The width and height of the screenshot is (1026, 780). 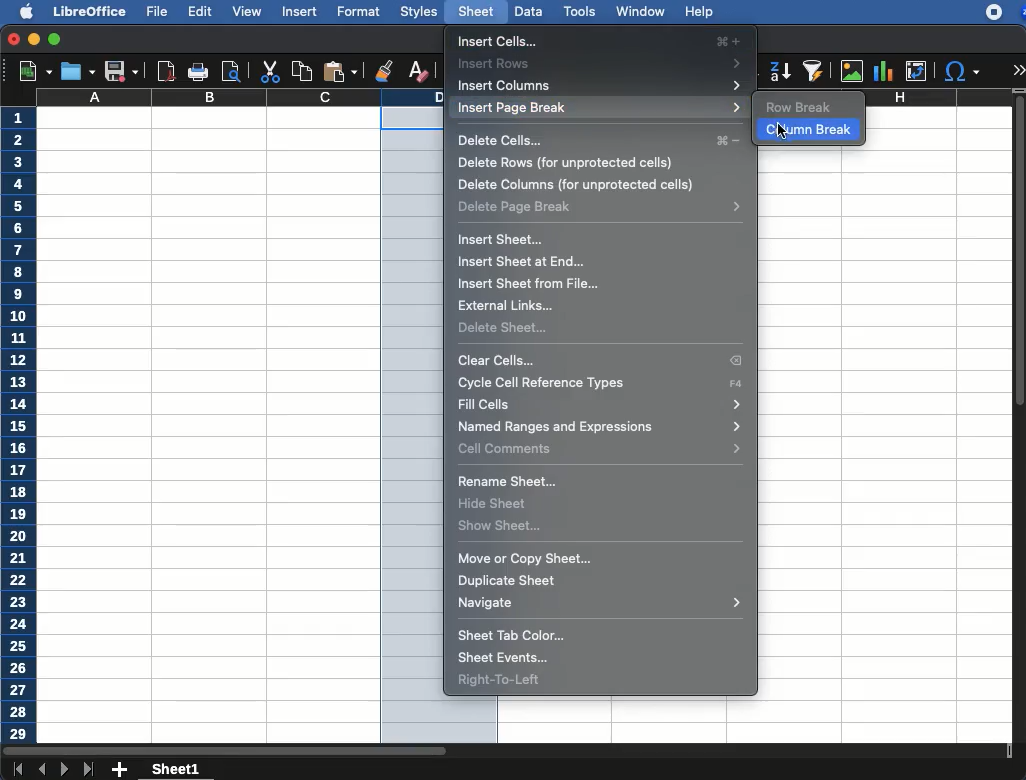 I want to click on format, so click(x=359, y=12).